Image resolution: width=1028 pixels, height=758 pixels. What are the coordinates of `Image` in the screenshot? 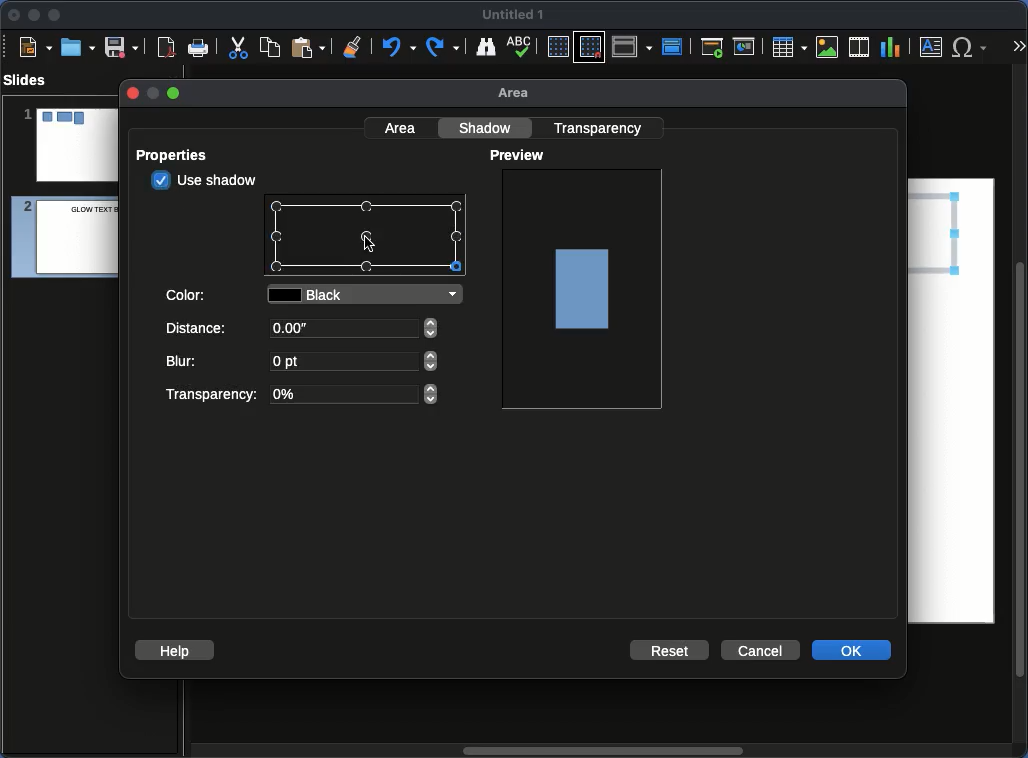 It's located at (584, 287).